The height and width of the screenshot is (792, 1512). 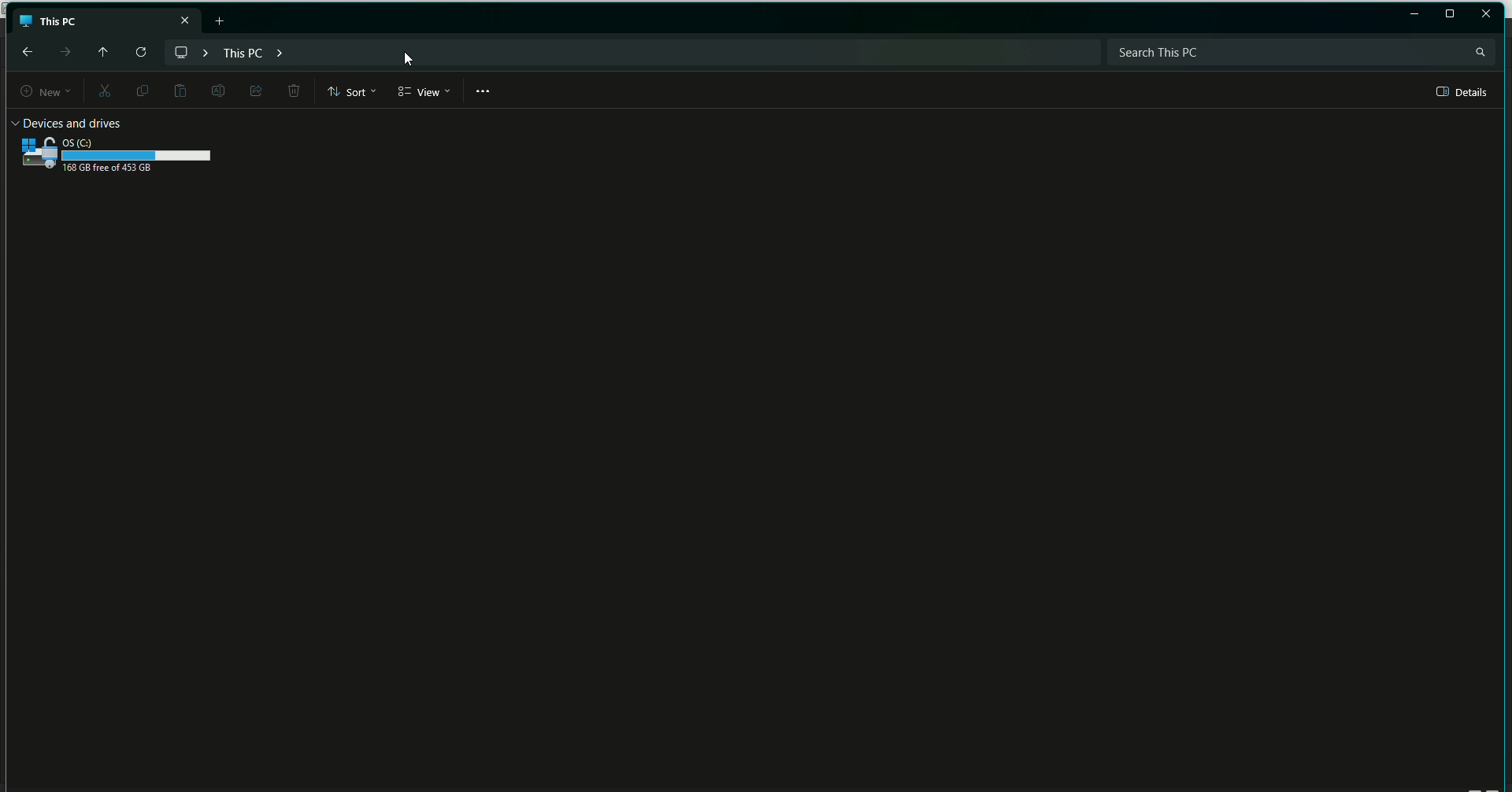 I want to click on File path, so click(x=238, y=51).